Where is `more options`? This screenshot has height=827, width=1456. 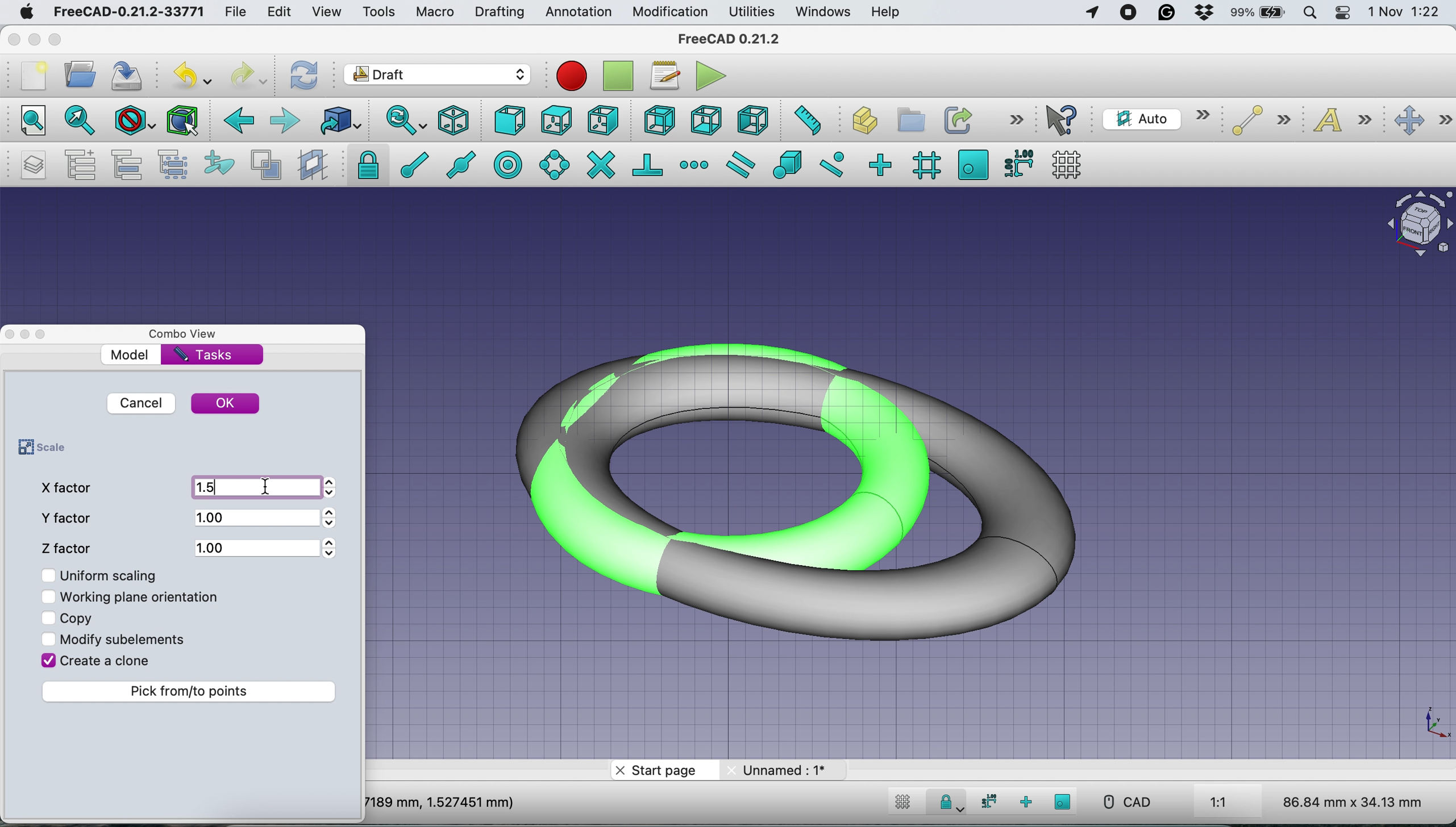 more options is located at coordinates (1014, 120).